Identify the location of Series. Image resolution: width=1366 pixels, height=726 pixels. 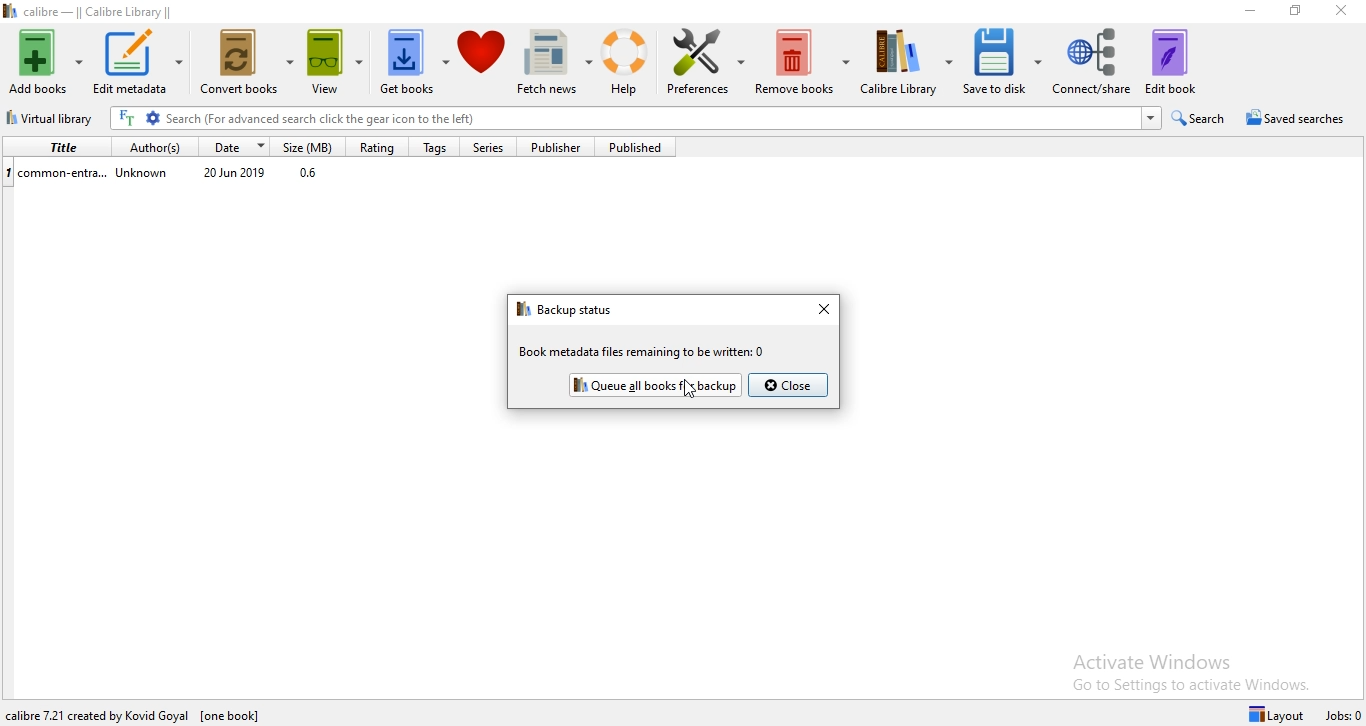
(495, 148).